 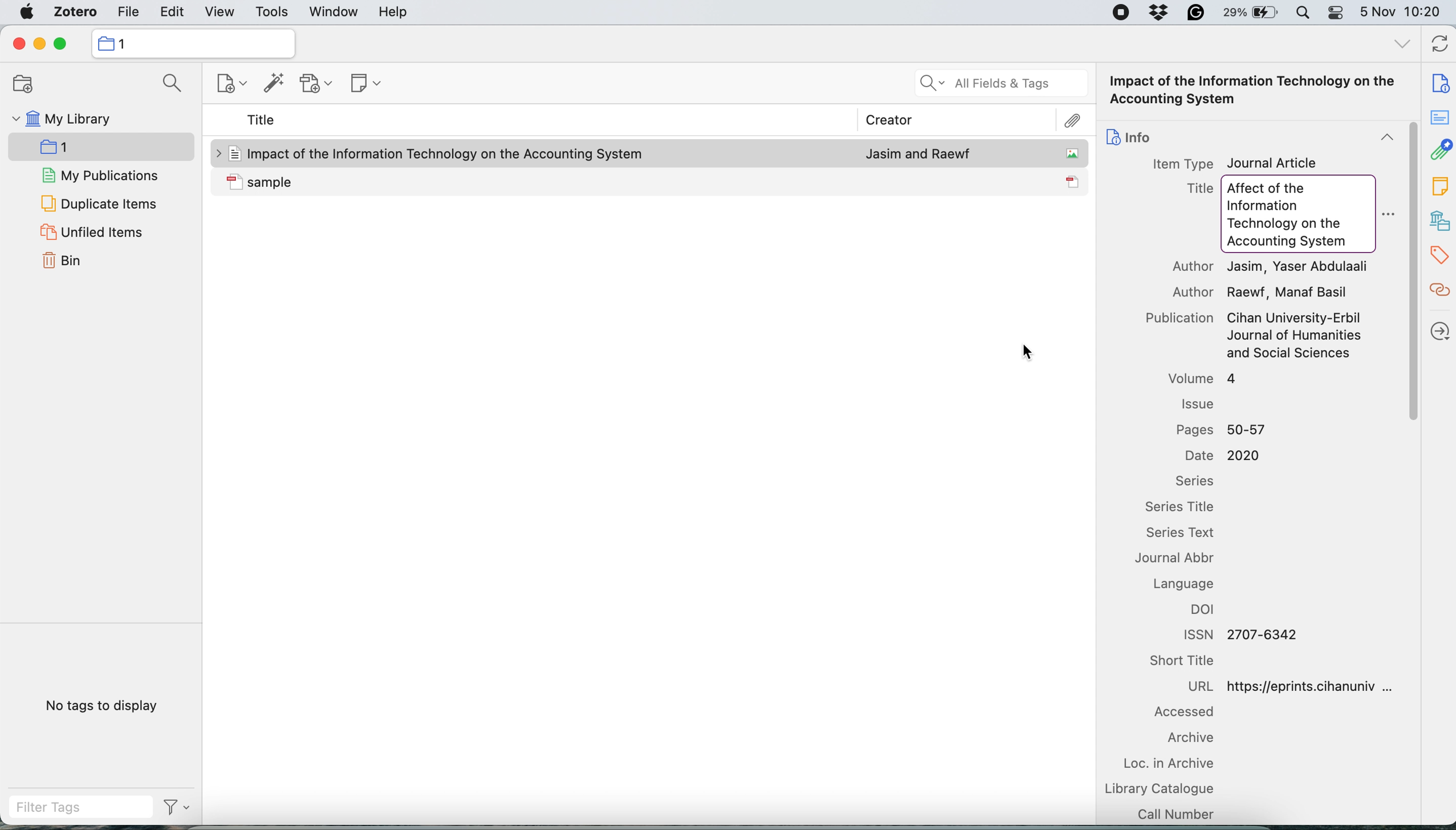 What do you see at coordinates (40, 44) in the screenshot?
I see `minimise` at bounding box center [40, 44].